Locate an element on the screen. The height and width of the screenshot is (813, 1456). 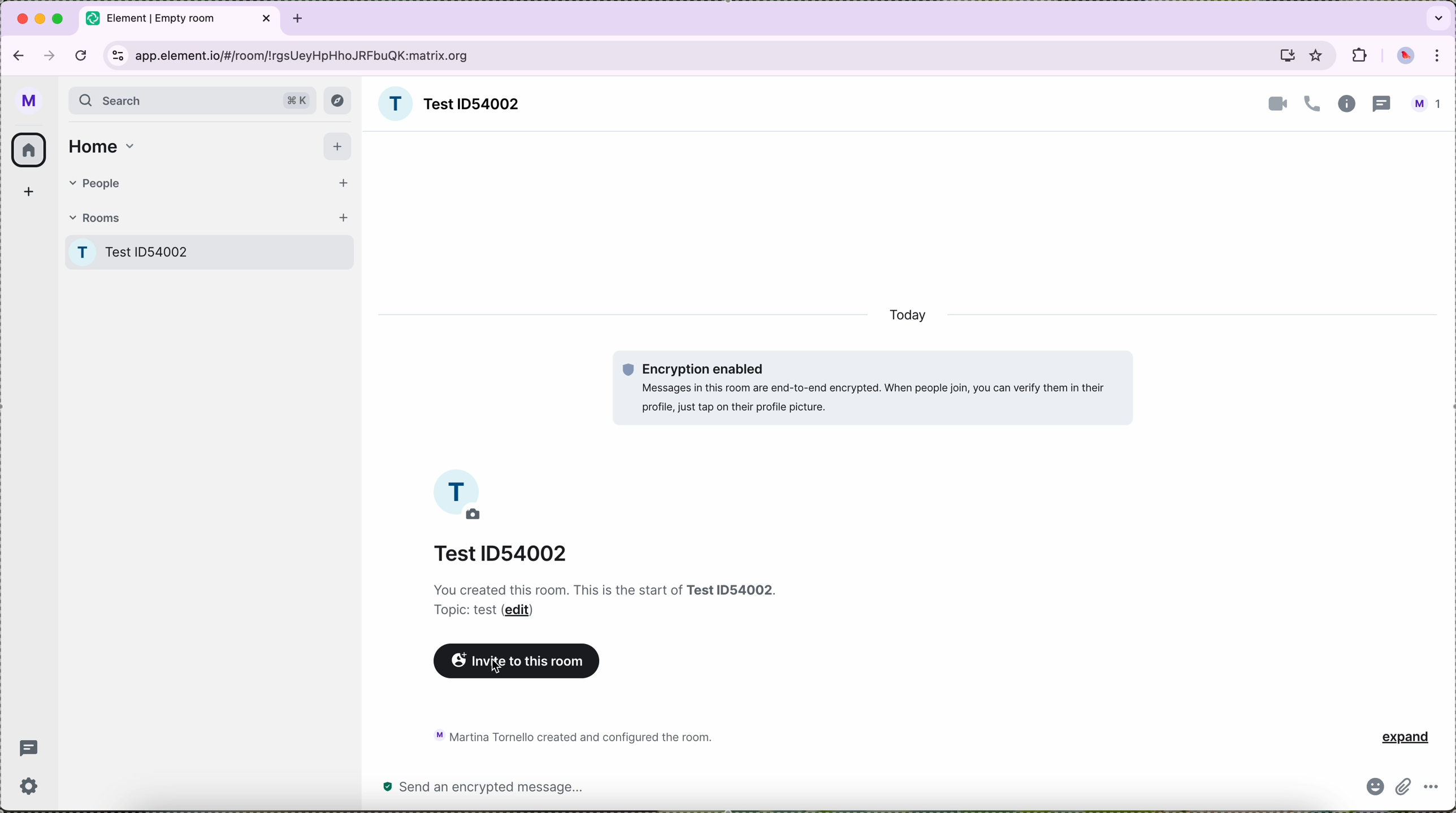
customize and control Google Chrome is located at coordinates (1440, 56).